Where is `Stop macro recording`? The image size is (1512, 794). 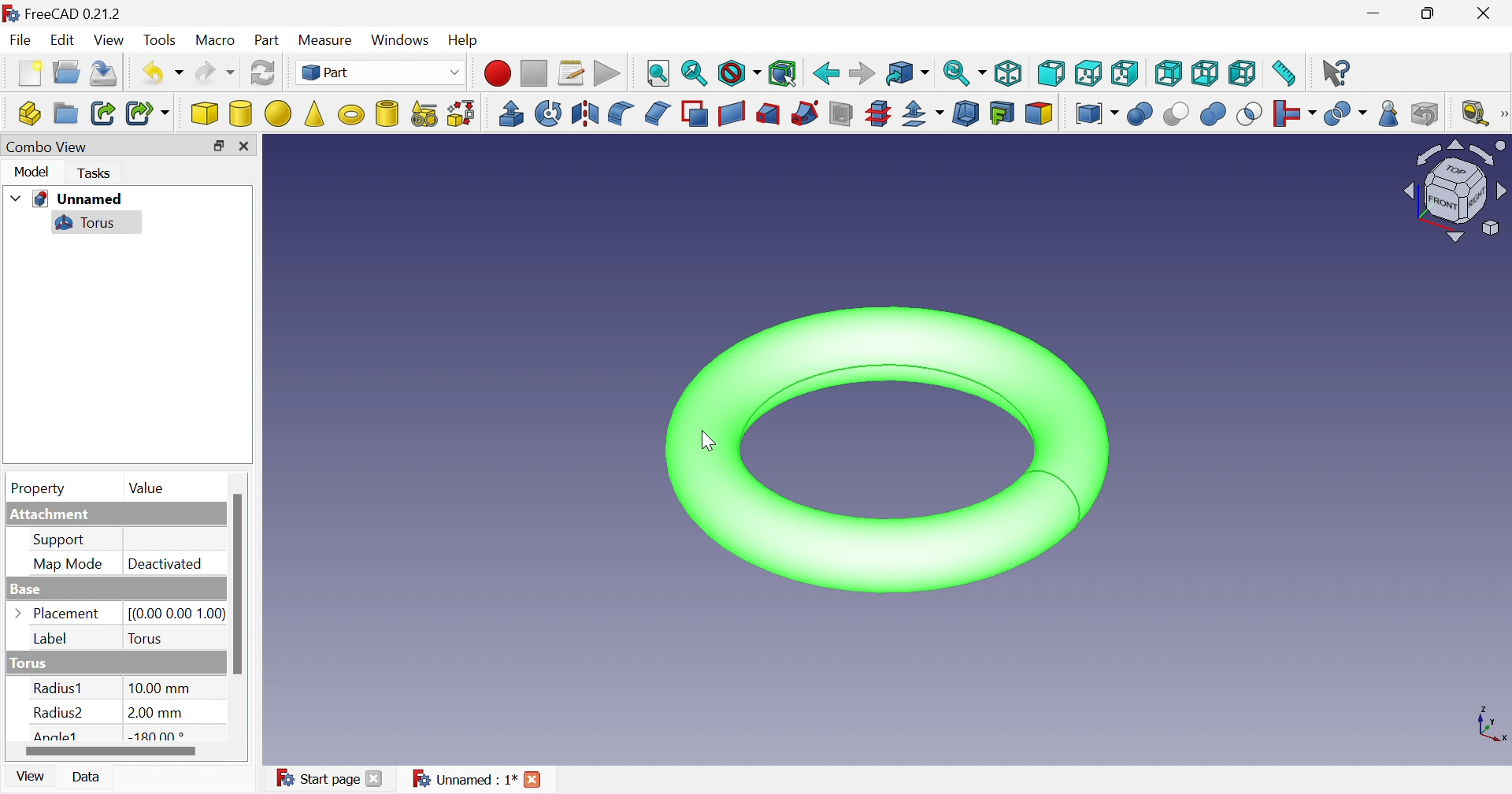
Stop macro recording is located at coordinates (535, 72).